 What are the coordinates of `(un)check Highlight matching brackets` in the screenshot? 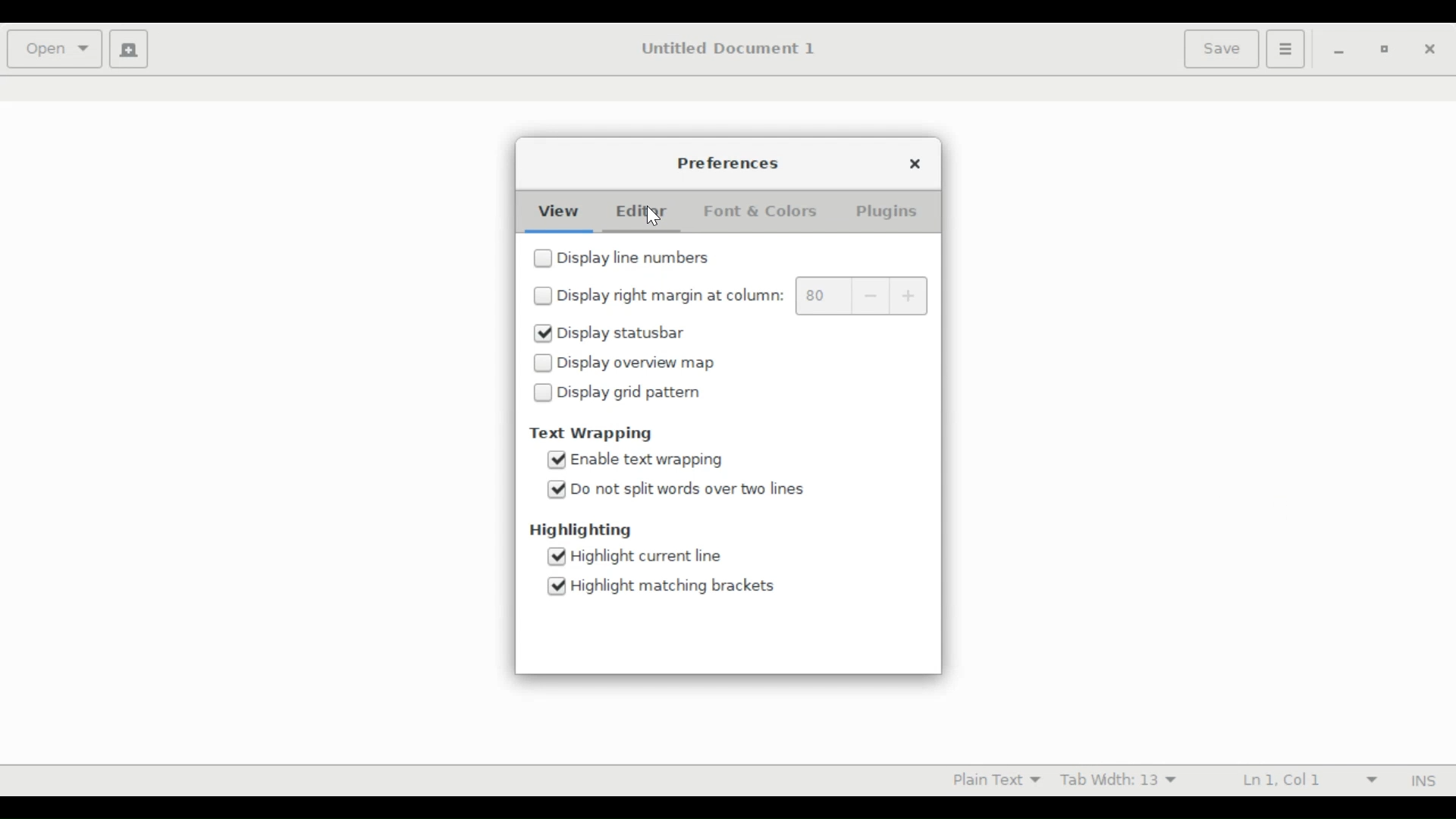 It's located at (683, 585).